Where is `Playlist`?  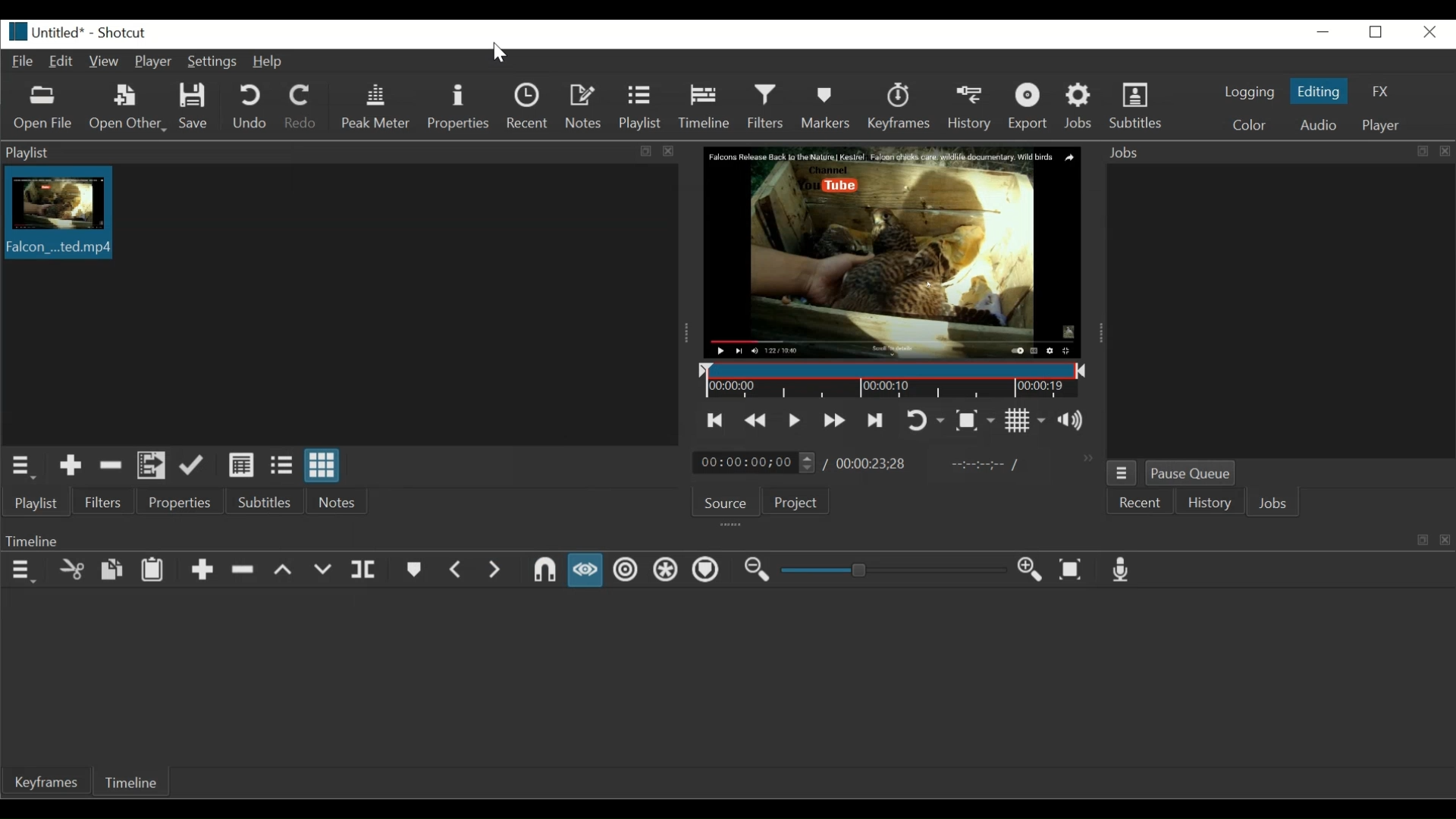
Playlist is located at coordinates (38, 503).